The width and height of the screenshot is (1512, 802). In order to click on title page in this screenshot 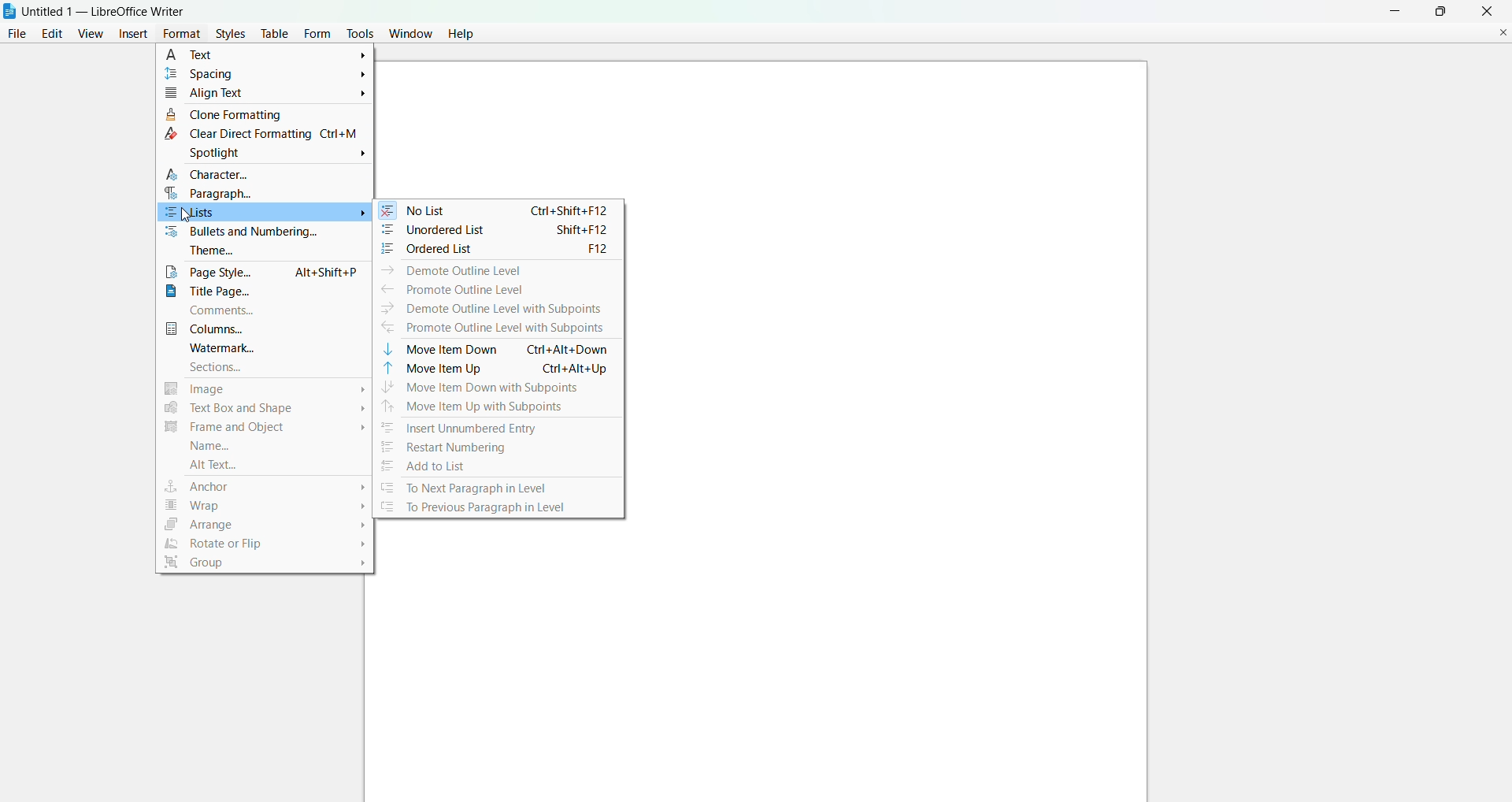, I will do `click(213, 295)`.